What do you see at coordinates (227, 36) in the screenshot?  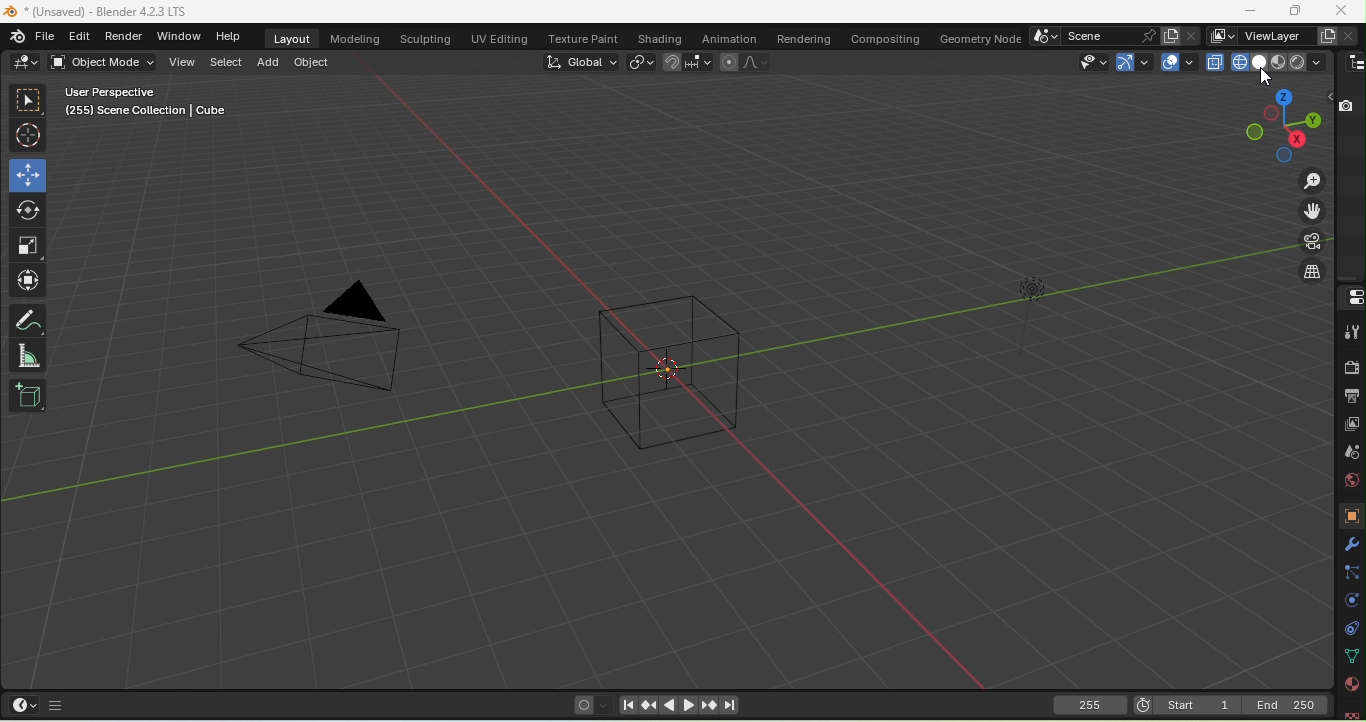 I see `Help` at bounding box center [227, 36].